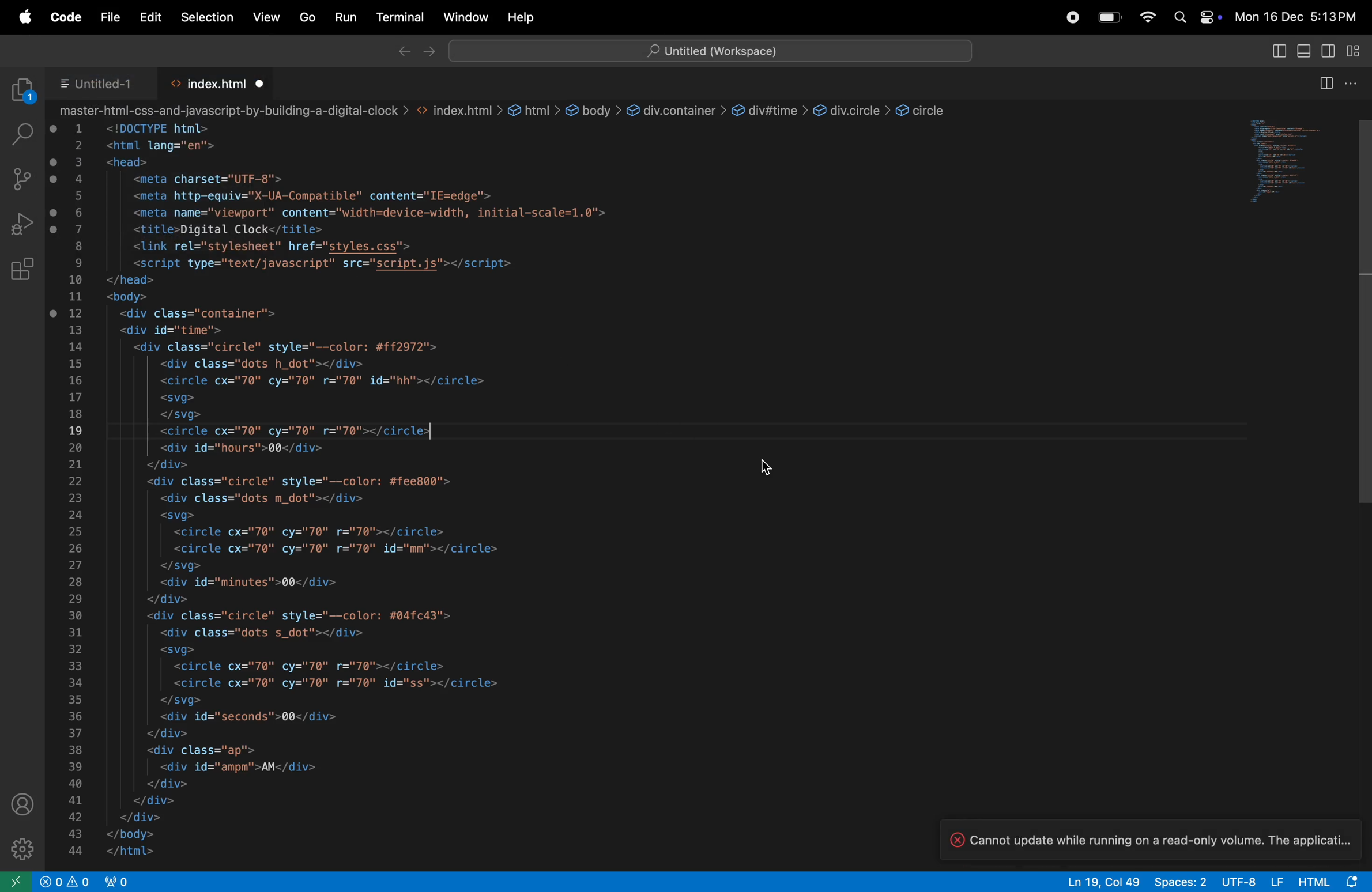 The width and height of the screenshot is (1372, 892). I want to click on </div>, so click(166, 784).